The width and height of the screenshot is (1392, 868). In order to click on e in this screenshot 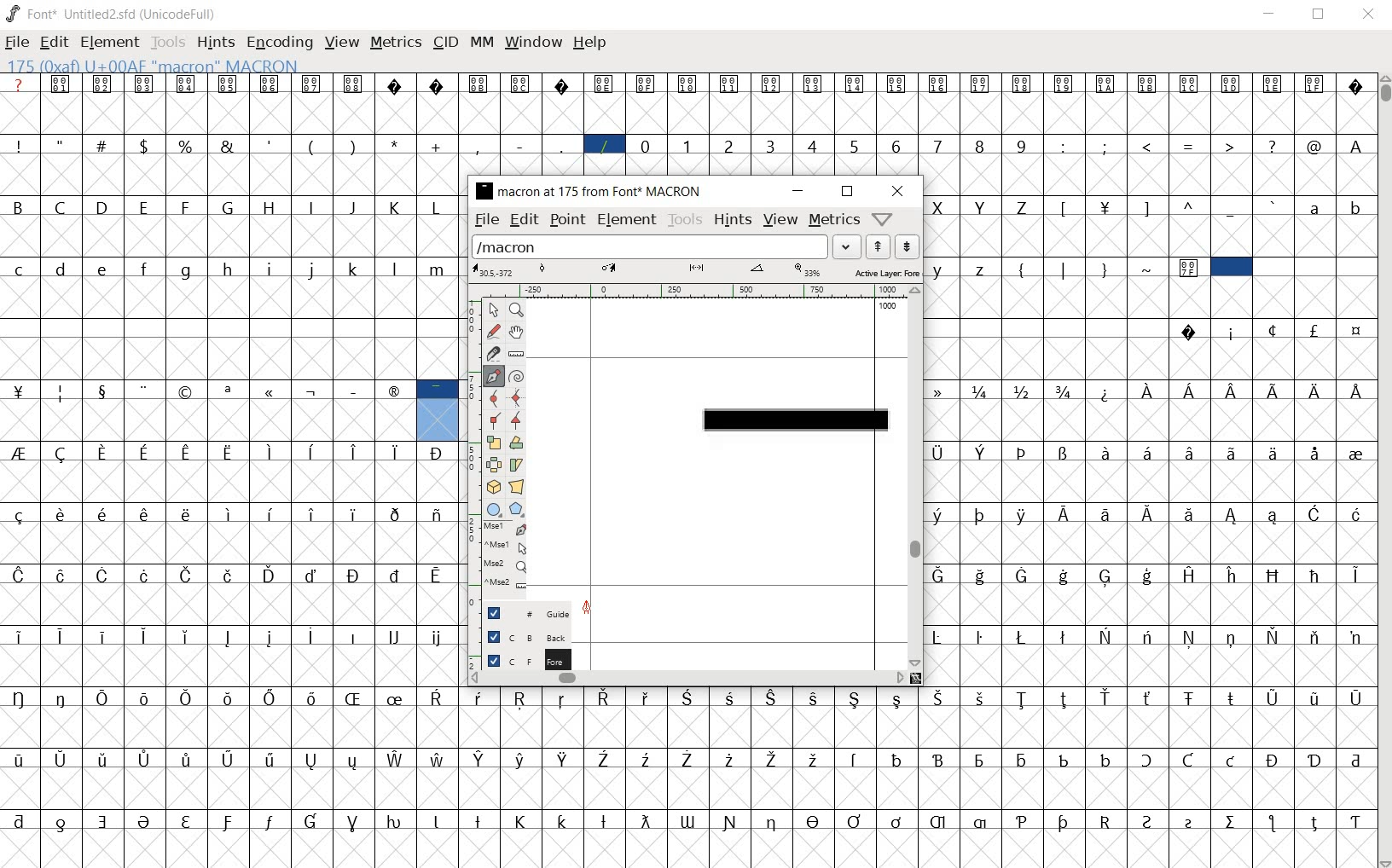, I will do `click(103, 268)`.